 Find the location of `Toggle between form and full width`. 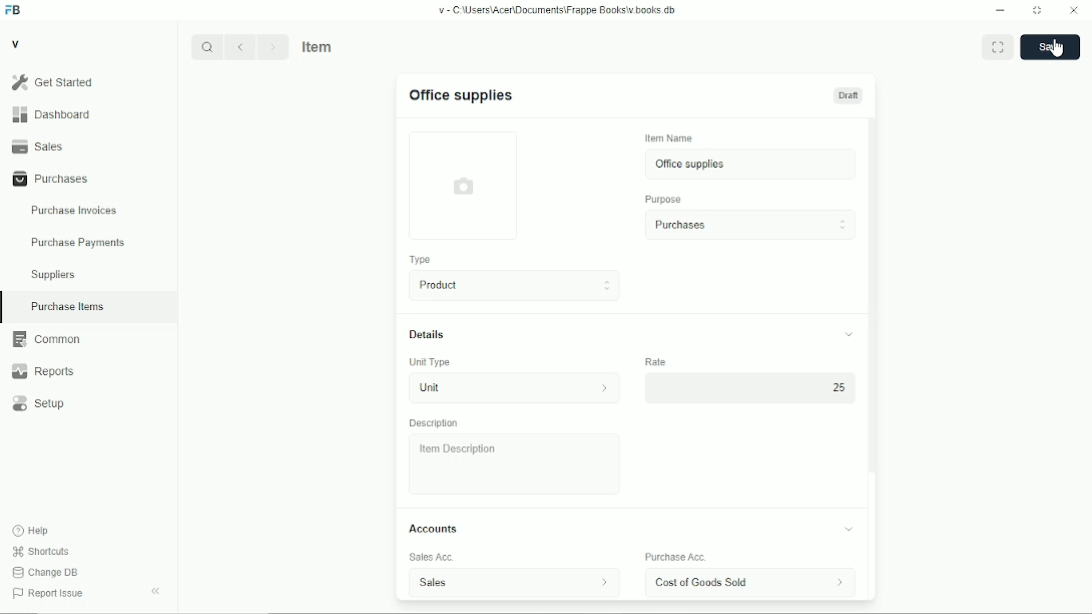

Toggle between form and full width is located at coordinates (1038, 11).